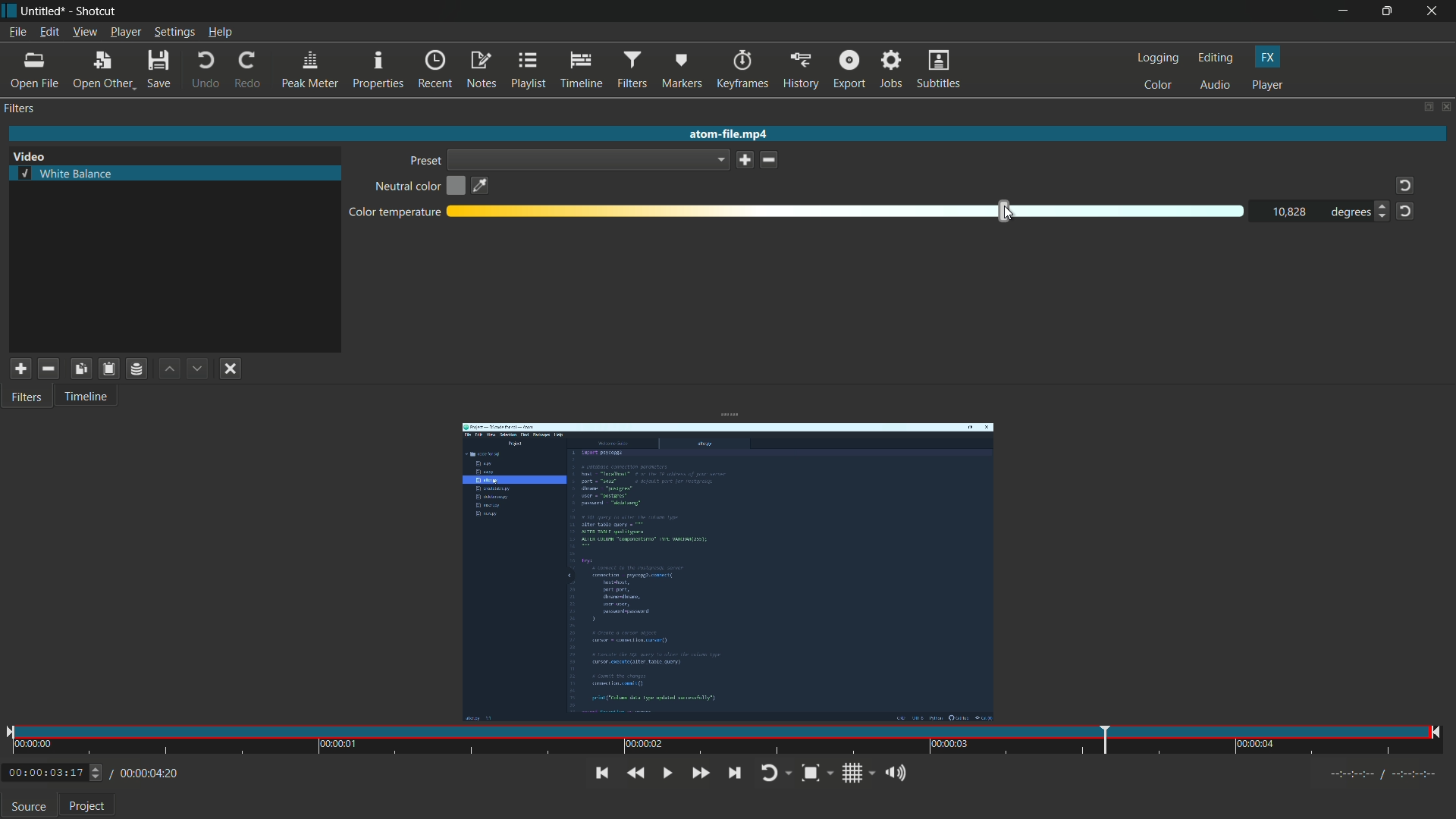 The height and width of the screenshot is (819, 1456). What do you see at coordinates (249, 67) in the screenshot?
I see `redo` at bounding box center [249, 67].